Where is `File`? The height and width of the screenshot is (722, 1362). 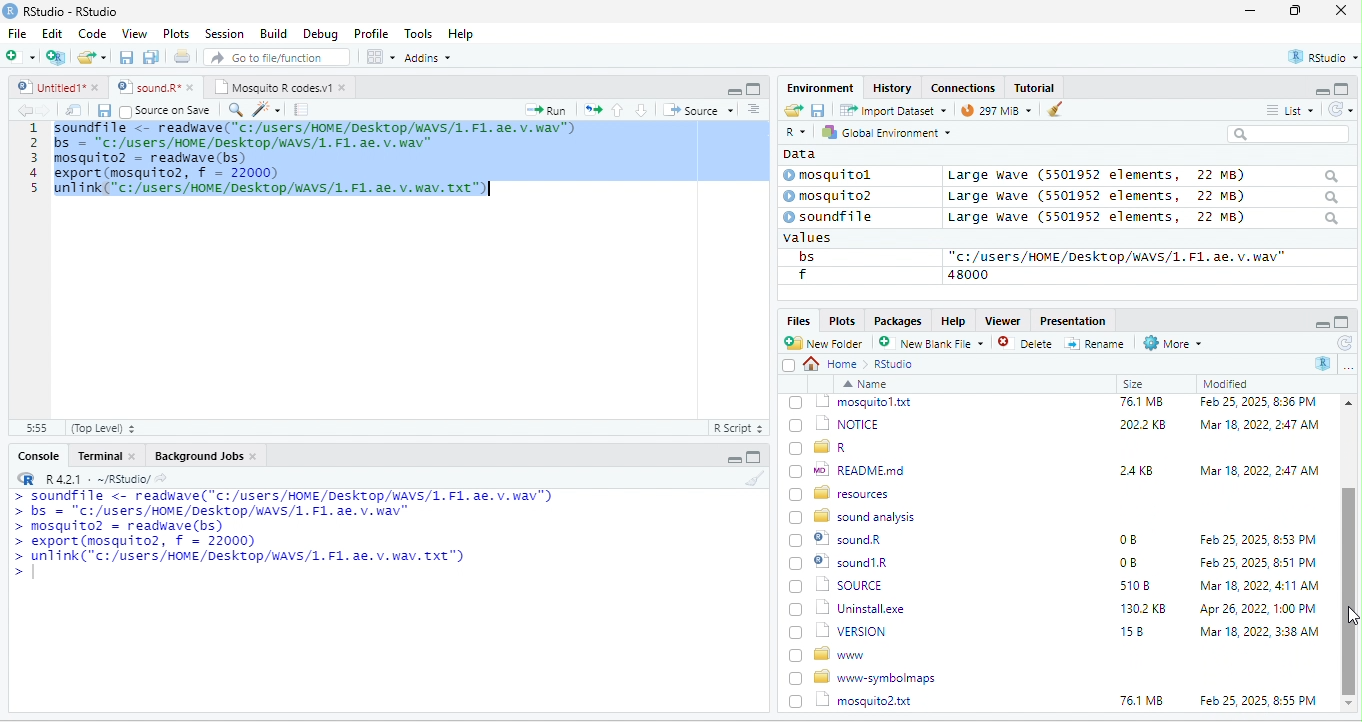 File is located at coordinates (17, 33).